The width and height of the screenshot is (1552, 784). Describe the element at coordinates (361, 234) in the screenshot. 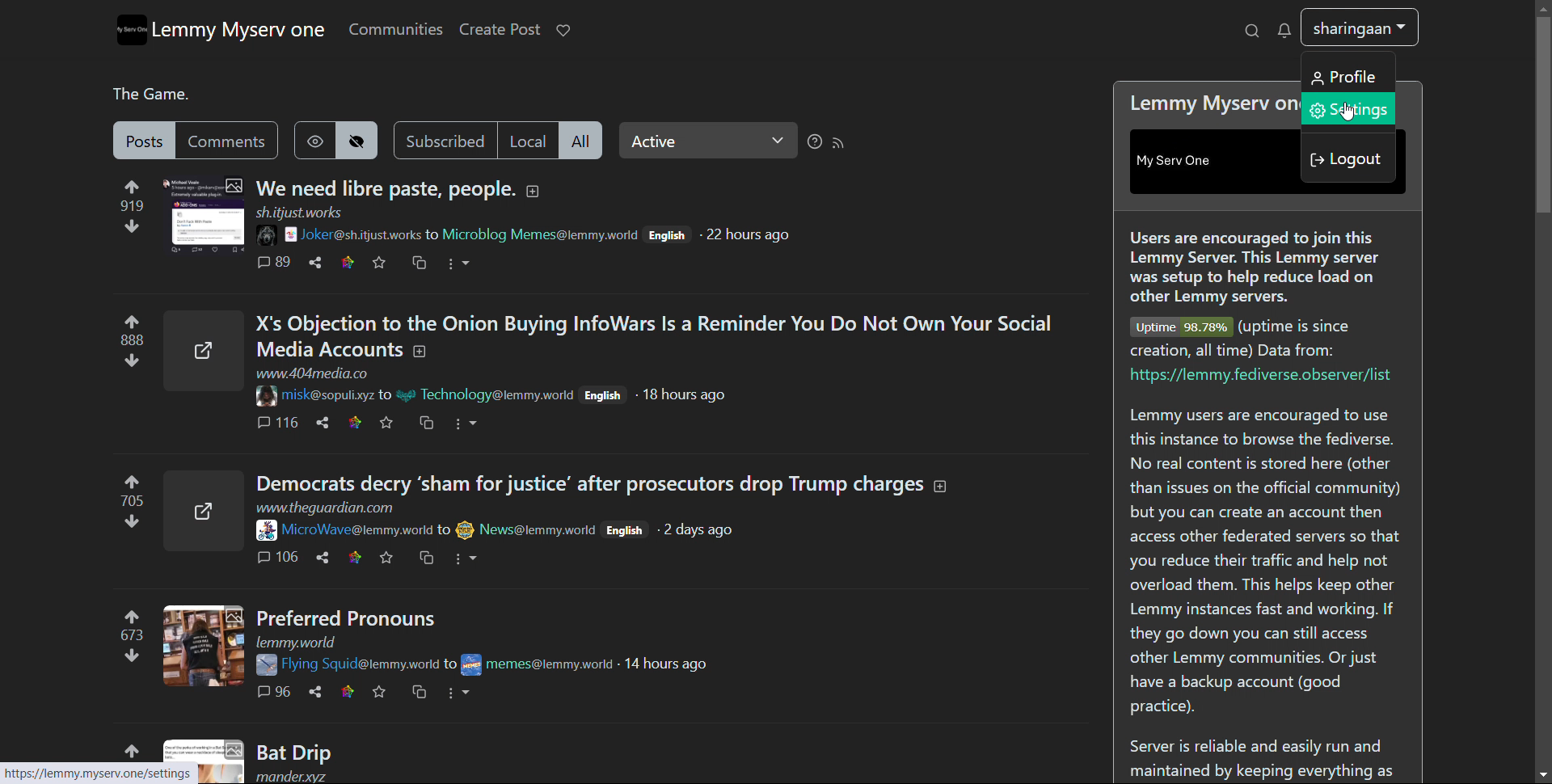

I see `poster username` at that location.